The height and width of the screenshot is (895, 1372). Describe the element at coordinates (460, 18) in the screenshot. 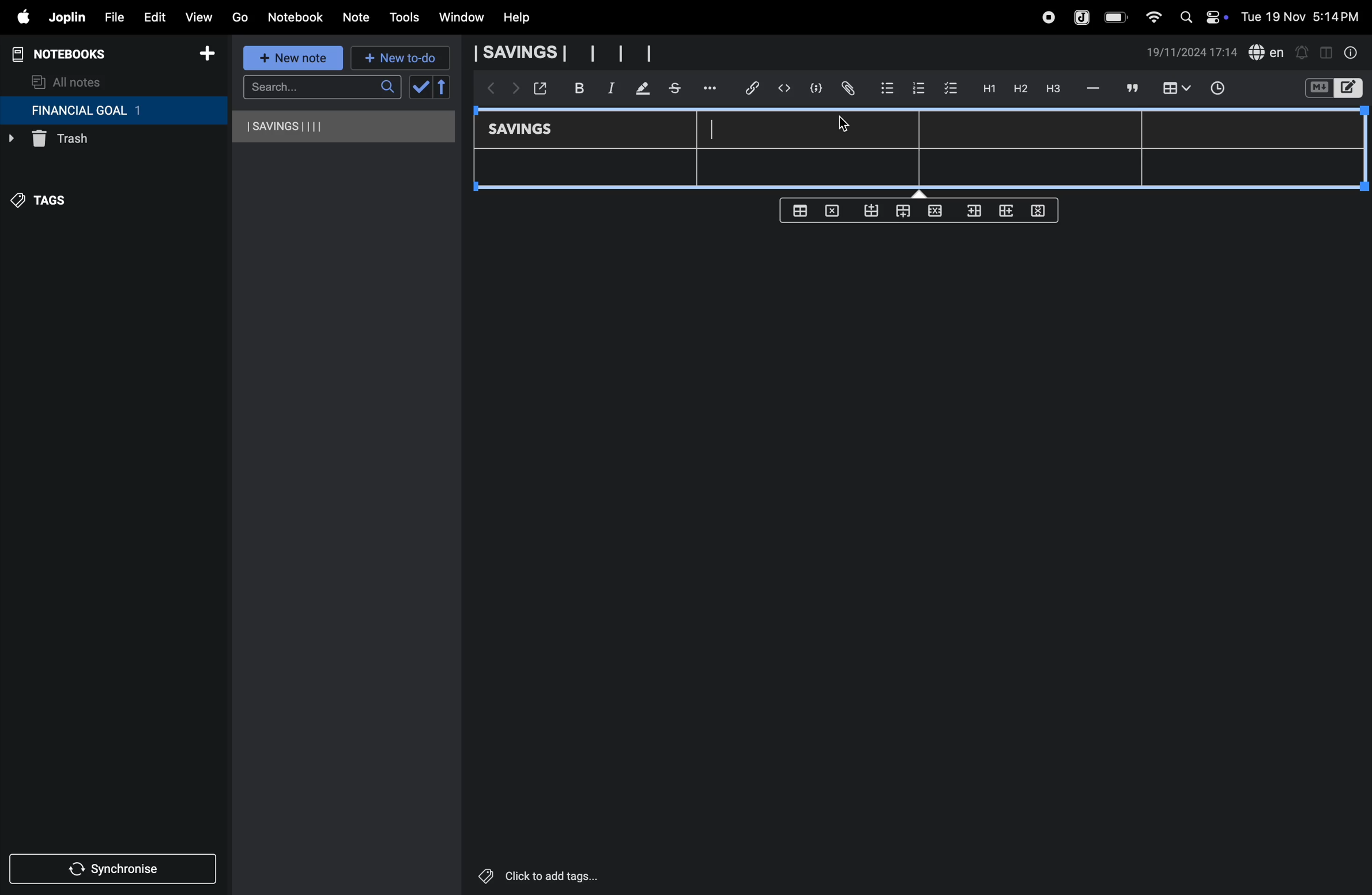

I see `window` at that location.